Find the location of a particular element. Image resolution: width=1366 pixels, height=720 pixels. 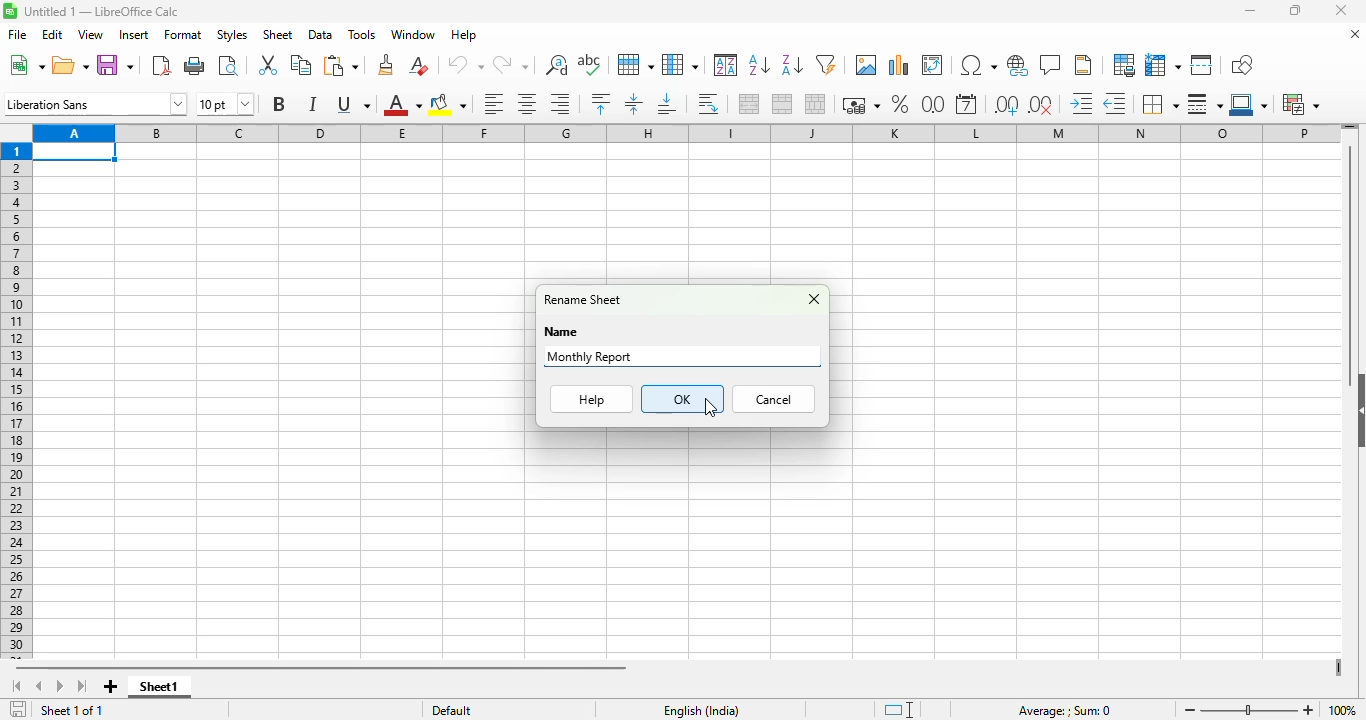

formula is located at coordinates (1064, 711).